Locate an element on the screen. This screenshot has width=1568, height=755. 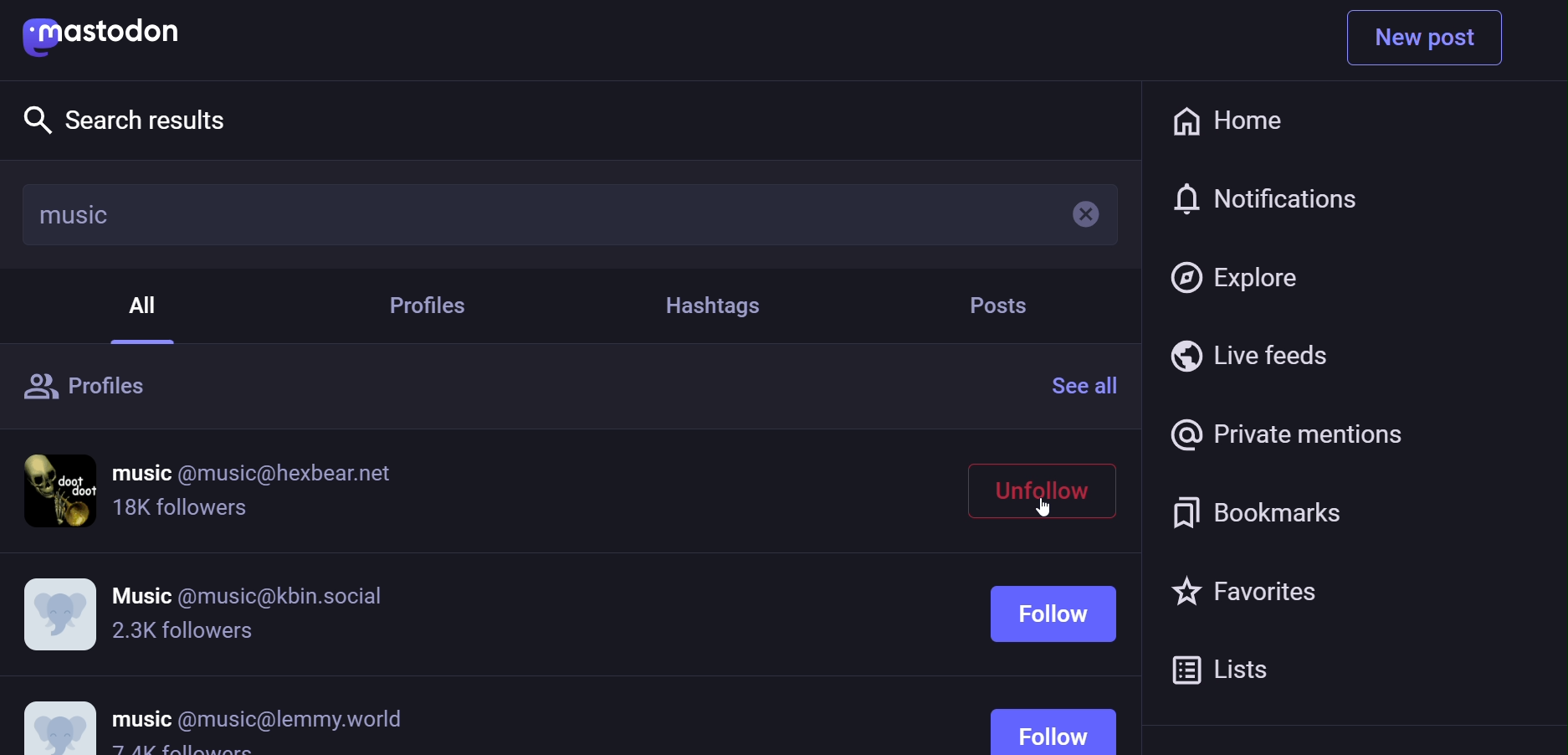
post is located at coordinates (997, 306).